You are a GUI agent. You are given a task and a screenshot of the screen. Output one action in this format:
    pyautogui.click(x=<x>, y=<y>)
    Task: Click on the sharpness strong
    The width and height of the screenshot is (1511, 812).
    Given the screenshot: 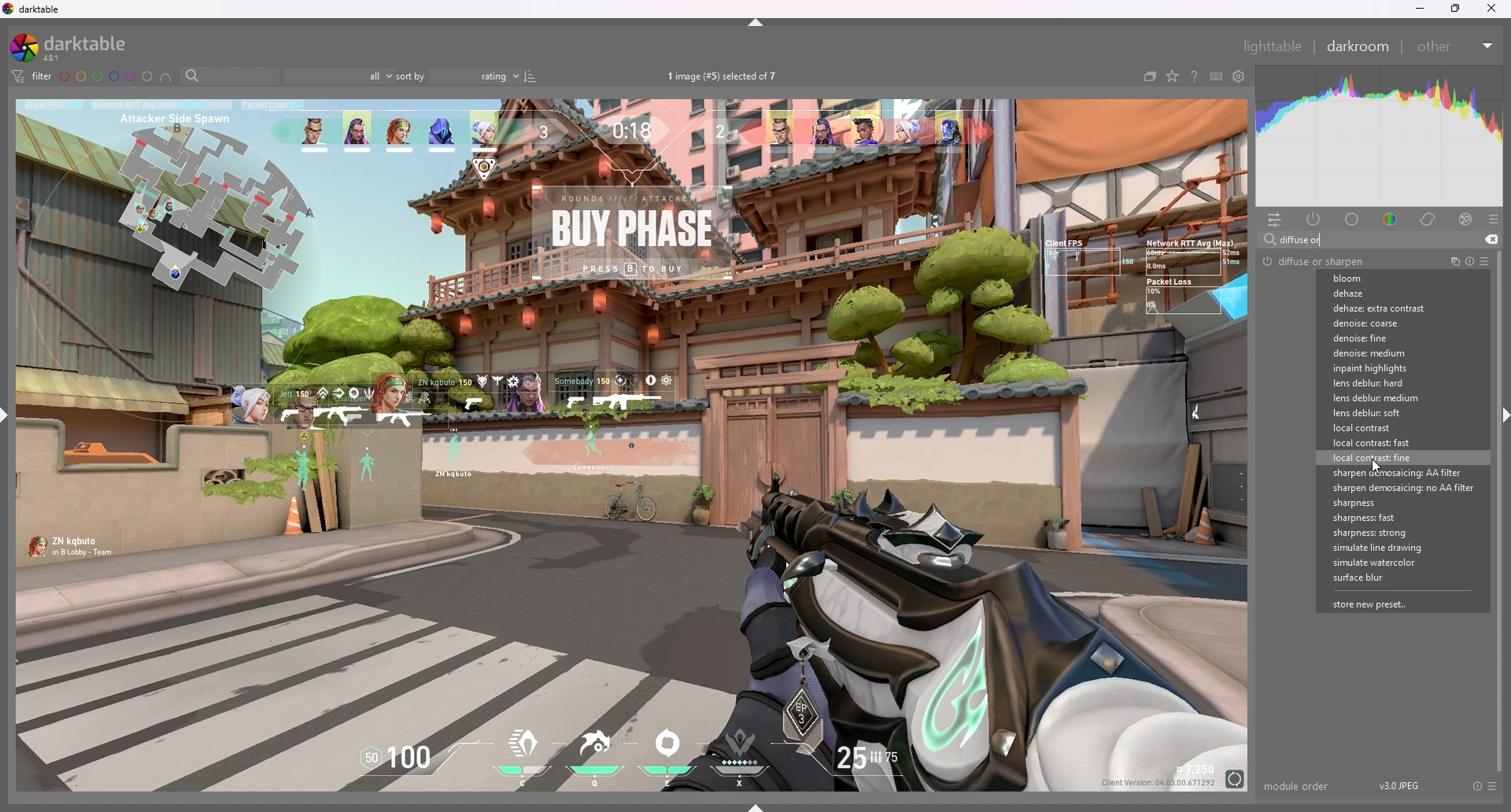 What is the action you would take?
    pyautogui.click(x=1381, y=533)
    